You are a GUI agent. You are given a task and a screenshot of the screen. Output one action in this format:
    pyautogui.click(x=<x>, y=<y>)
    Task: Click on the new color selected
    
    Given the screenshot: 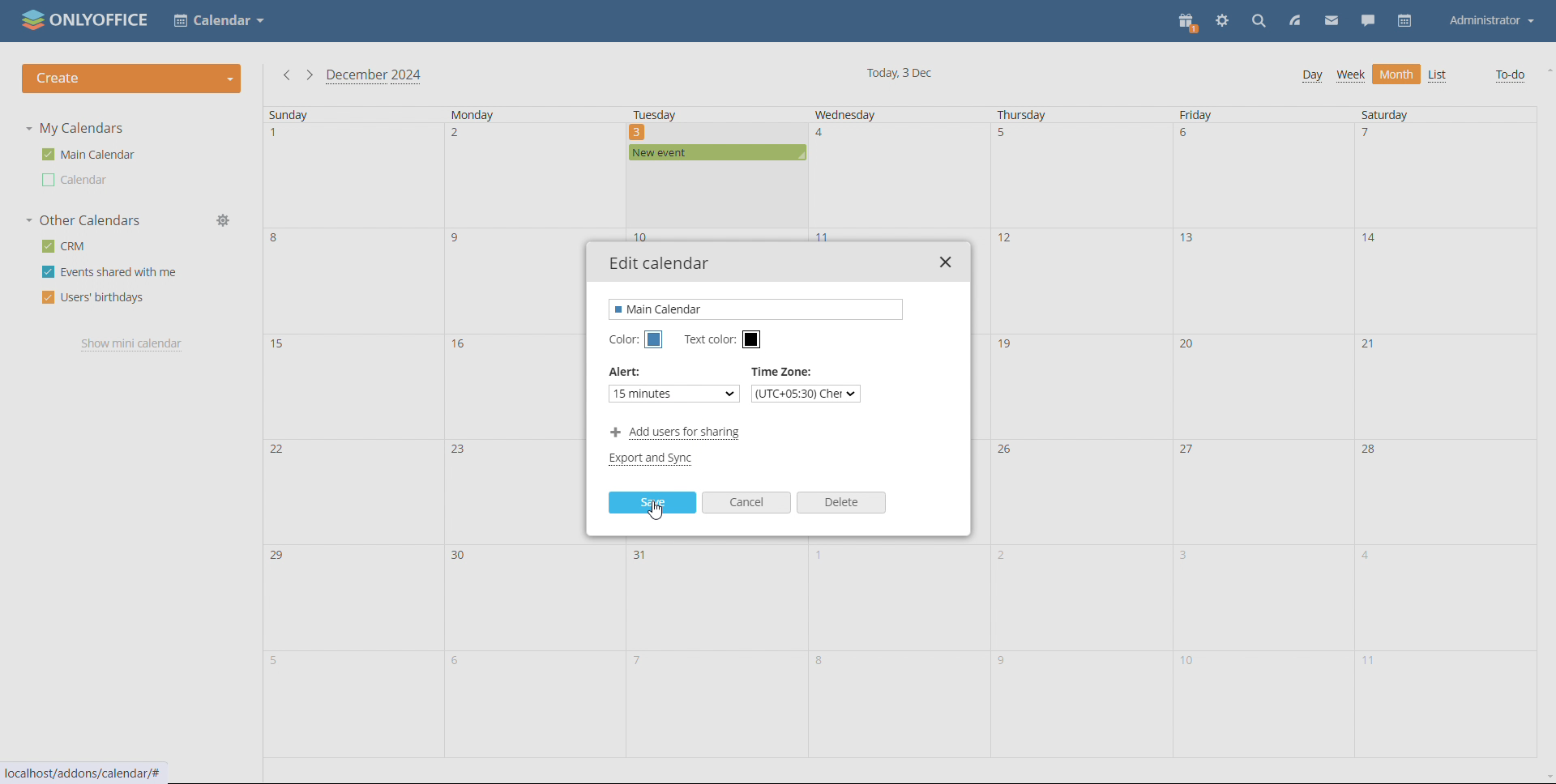 What is the action you would take?
    pyautogui.click(x=653, y=340)
    